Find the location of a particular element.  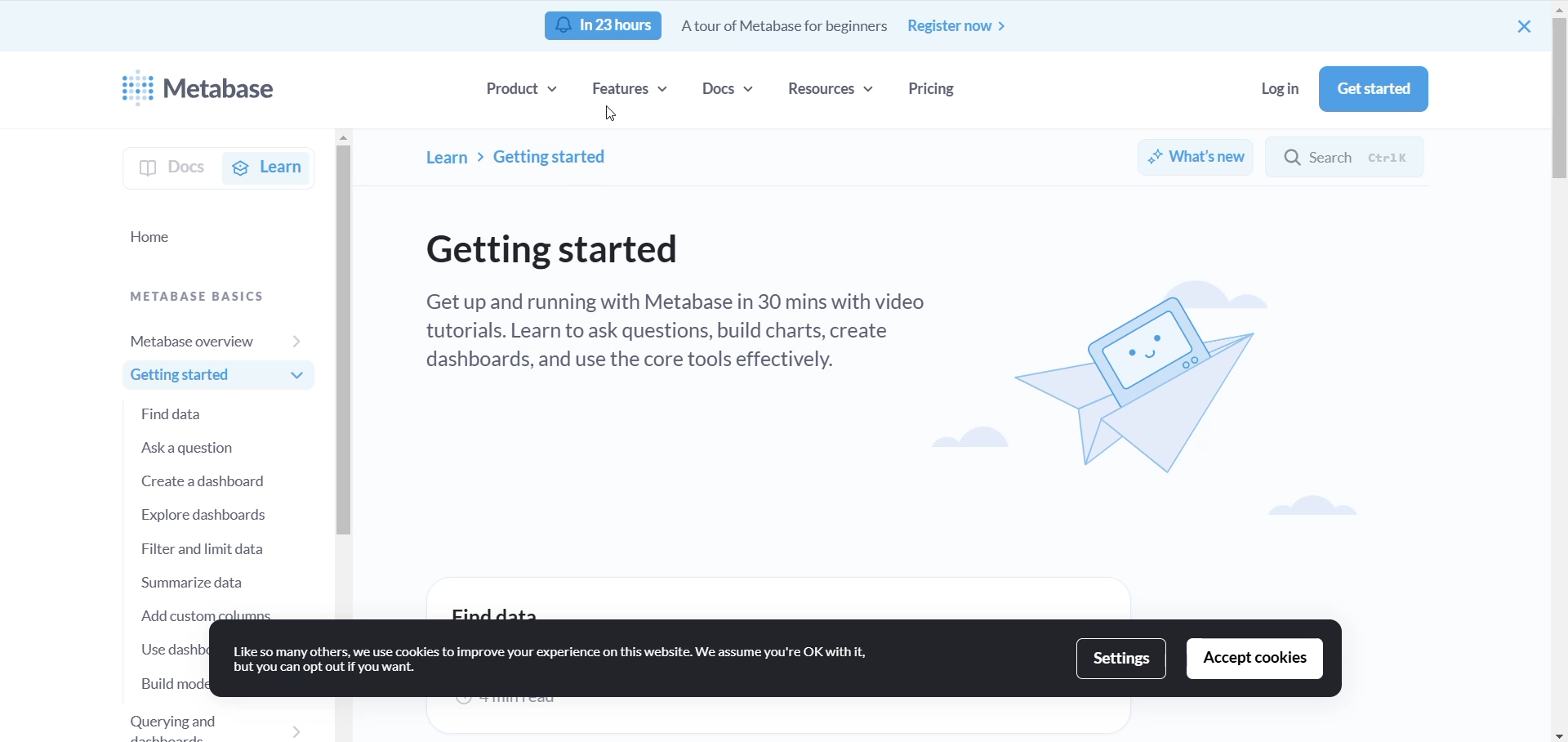

text is located at coordinates (556, 662).